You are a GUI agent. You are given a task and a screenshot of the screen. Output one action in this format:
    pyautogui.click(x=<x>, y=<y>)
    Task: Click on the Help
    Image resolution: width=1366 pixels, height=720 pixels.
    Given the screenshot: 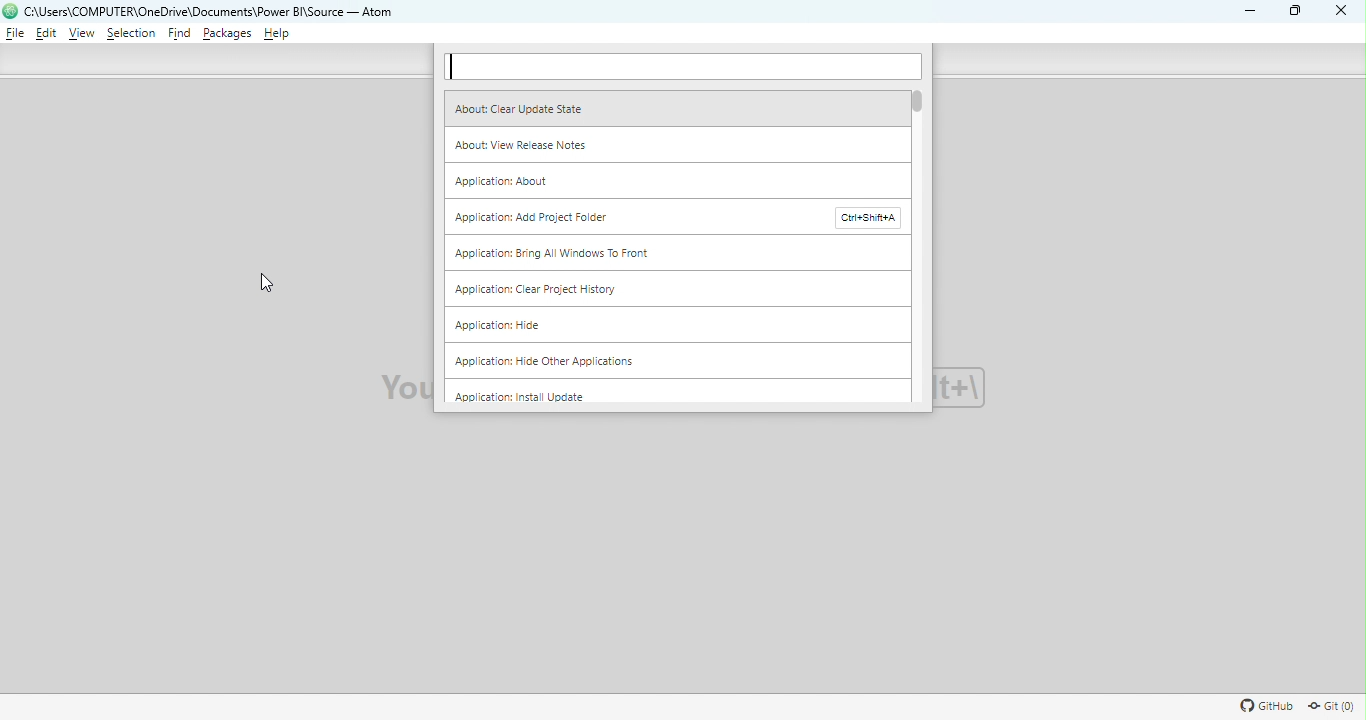 What is the action you would take?
    pyautogui.click(x=278, y=34)
    